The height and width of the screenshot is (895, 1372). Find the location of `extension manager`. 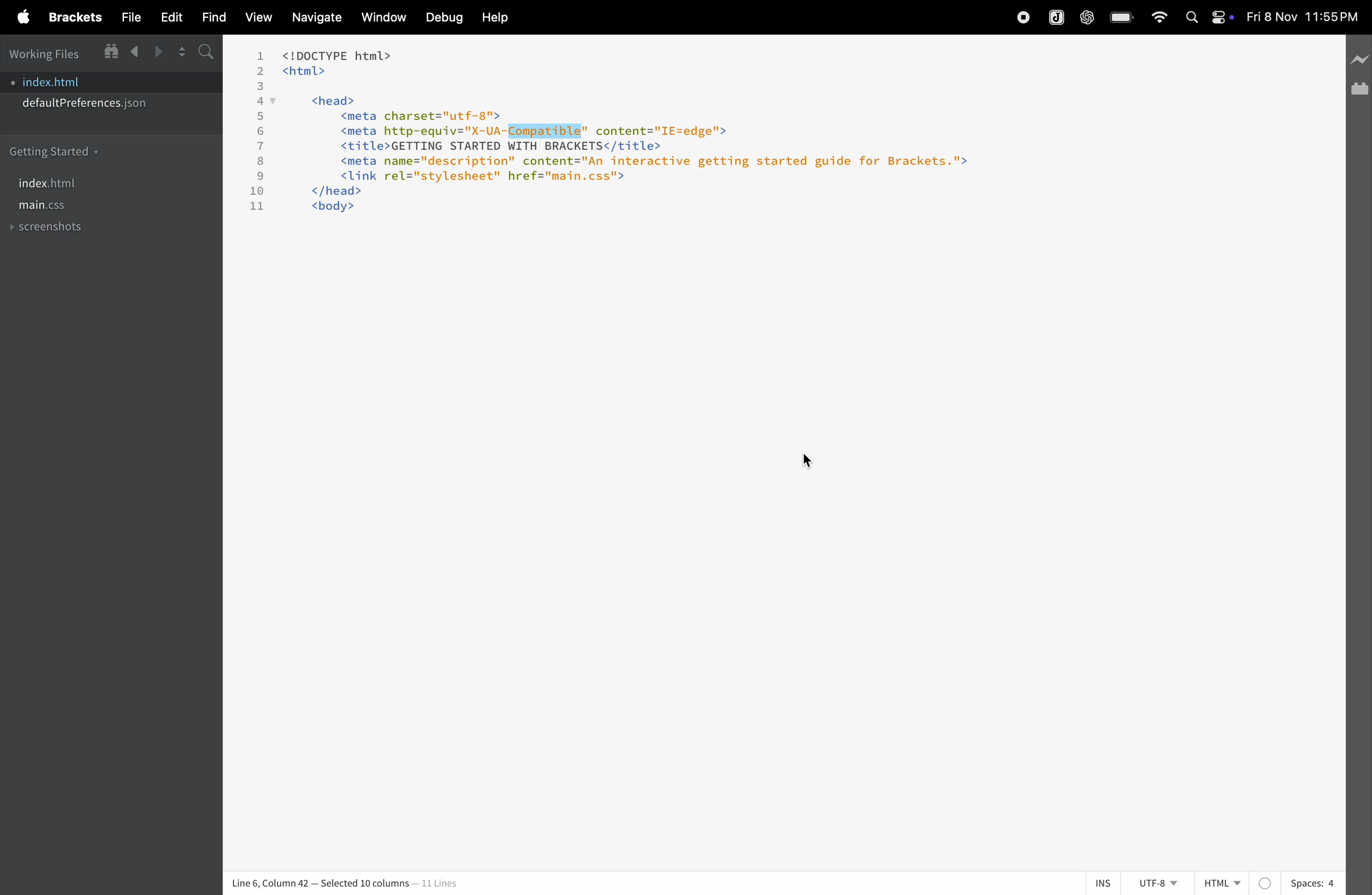

extension manager is located at coordinates (1359, 92).